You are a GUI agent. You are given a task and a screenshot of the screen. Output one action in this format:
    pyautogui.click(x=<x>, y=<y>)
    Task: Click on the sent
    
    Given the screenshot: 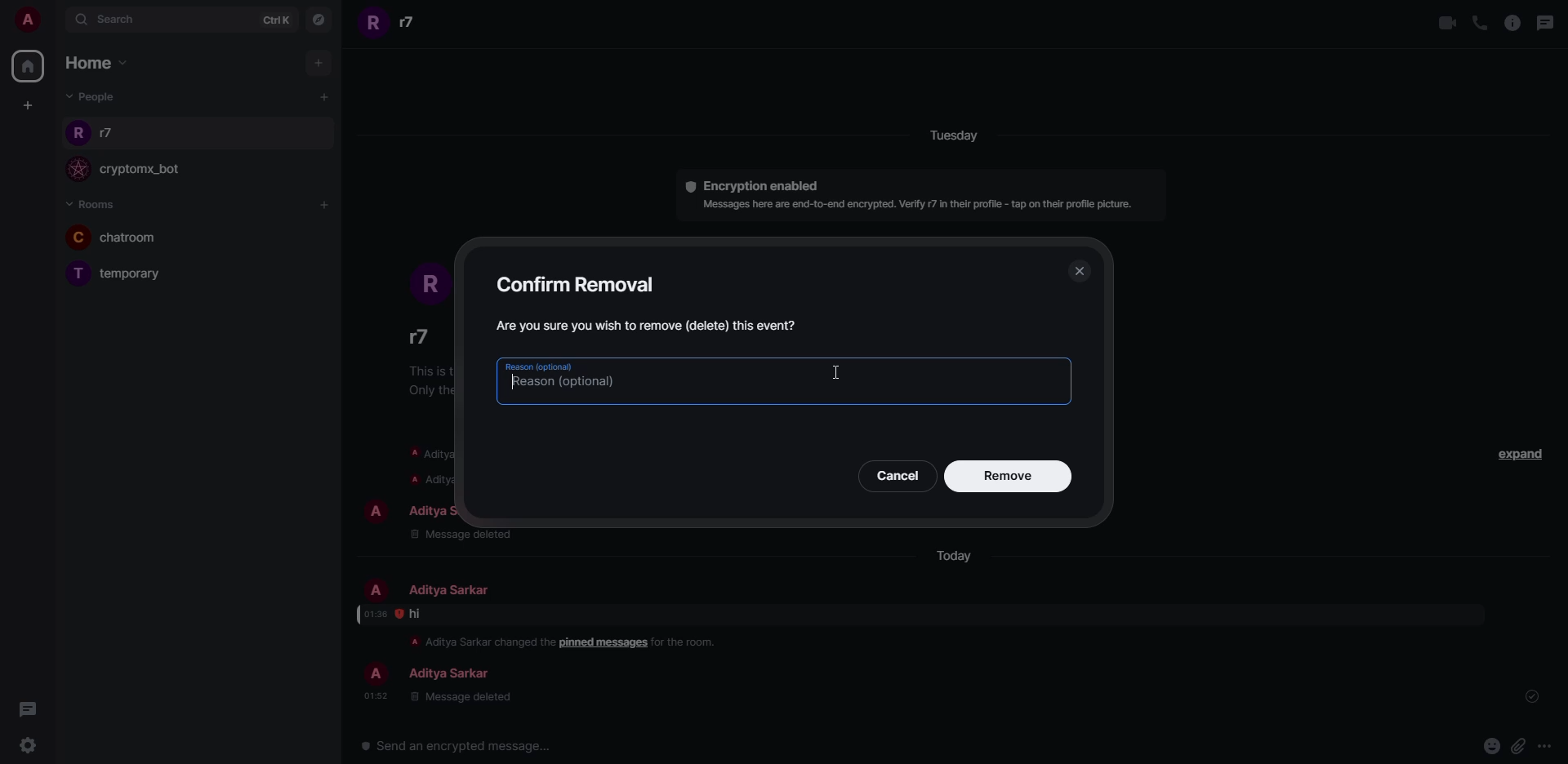 What is the action you would take?
    pyautogui.click(x=1535, y=697)
    